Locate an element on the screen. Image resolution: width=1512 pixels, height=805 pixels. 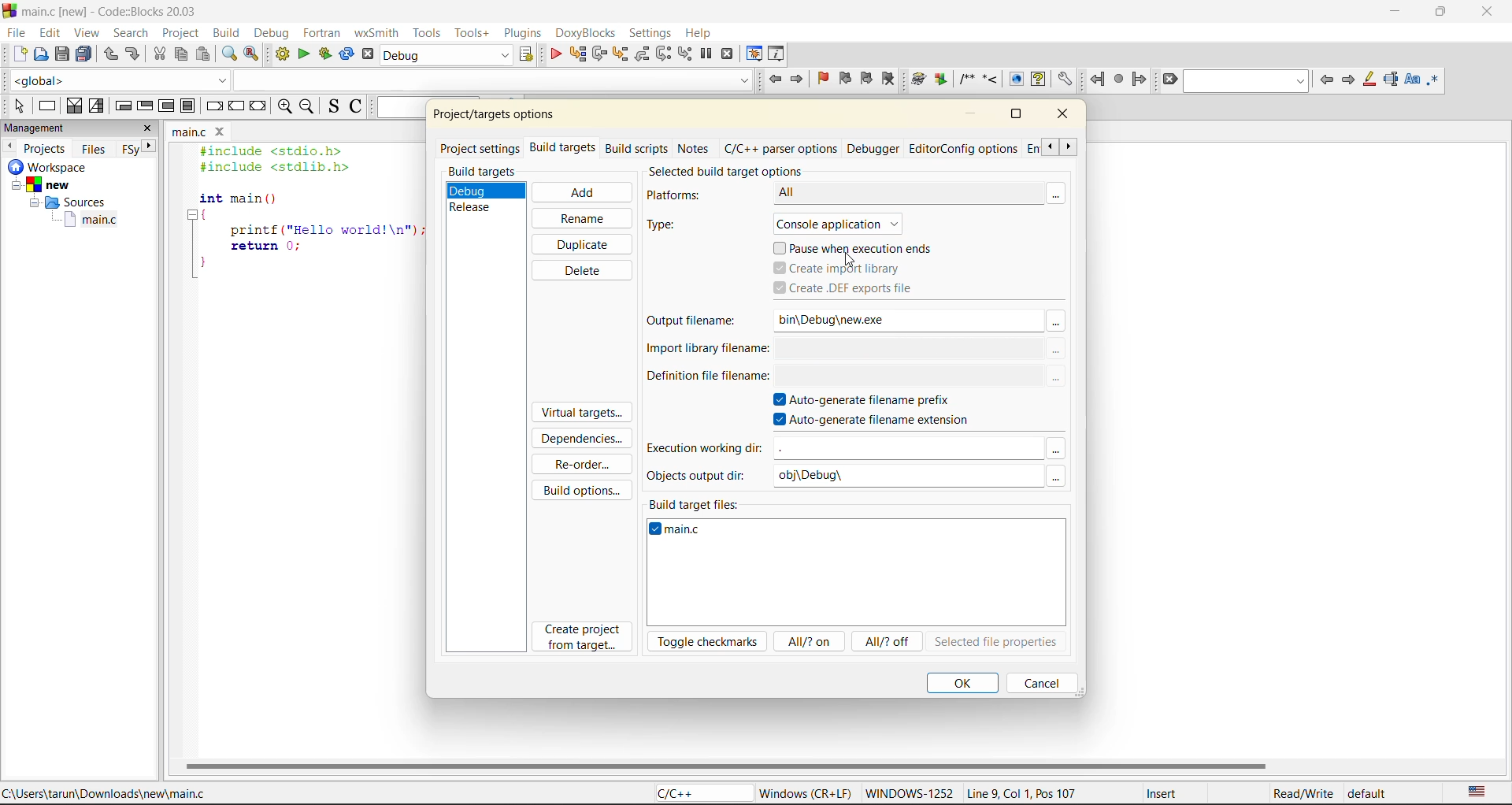
build is located at coordinates (283, 54).